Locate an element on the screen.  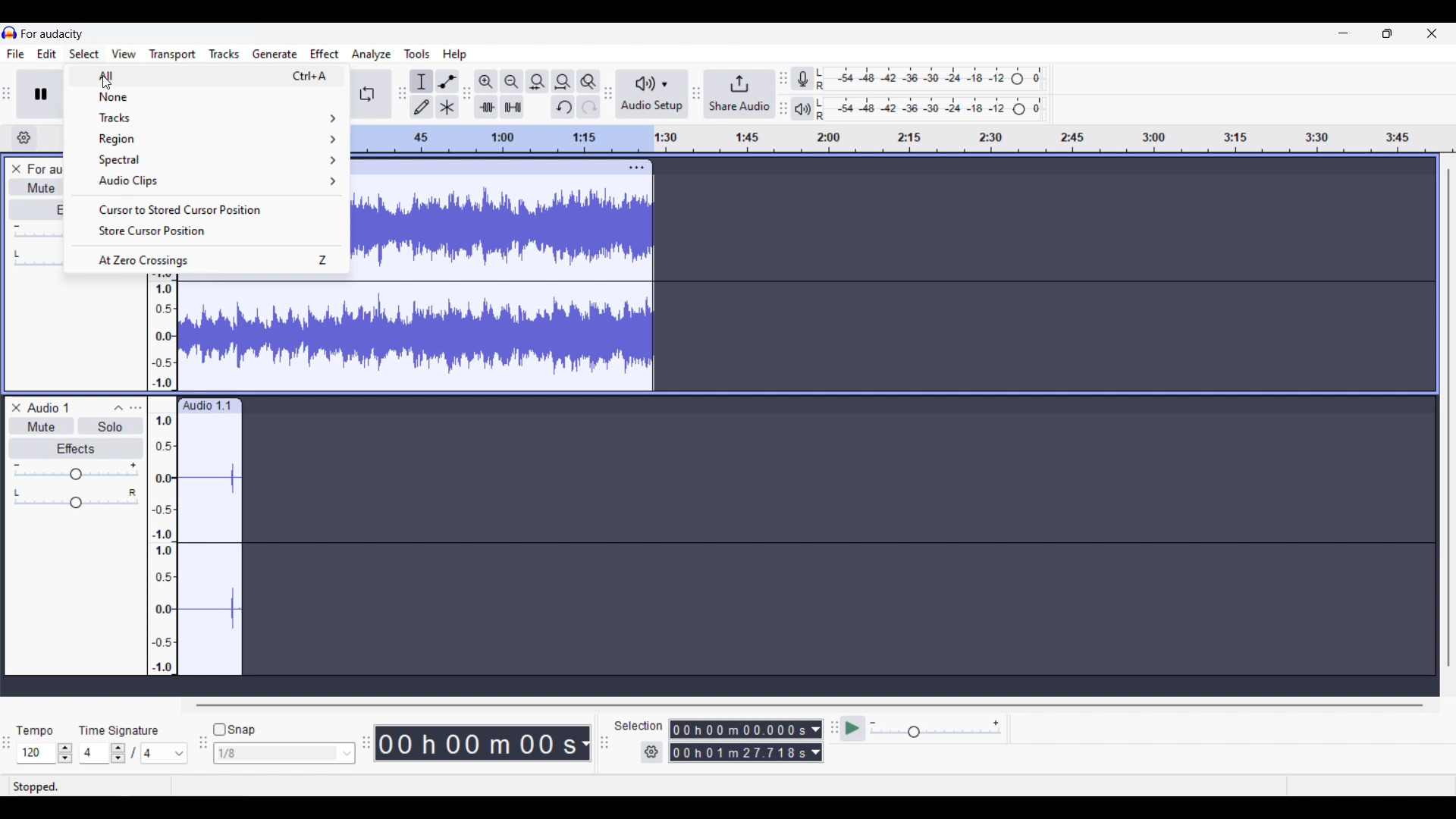
Playback speed settings is located at coordinates (937, 728).